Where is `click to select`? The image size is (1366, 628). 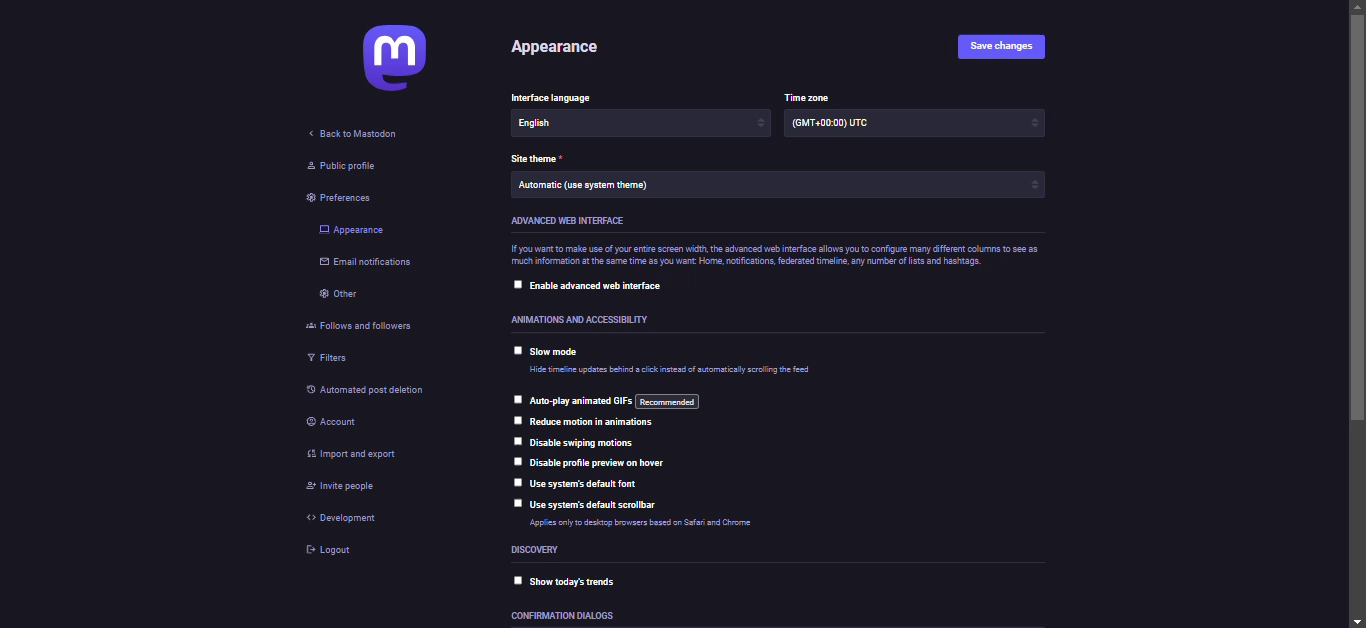 click to select is located at coordinates (515, 397).